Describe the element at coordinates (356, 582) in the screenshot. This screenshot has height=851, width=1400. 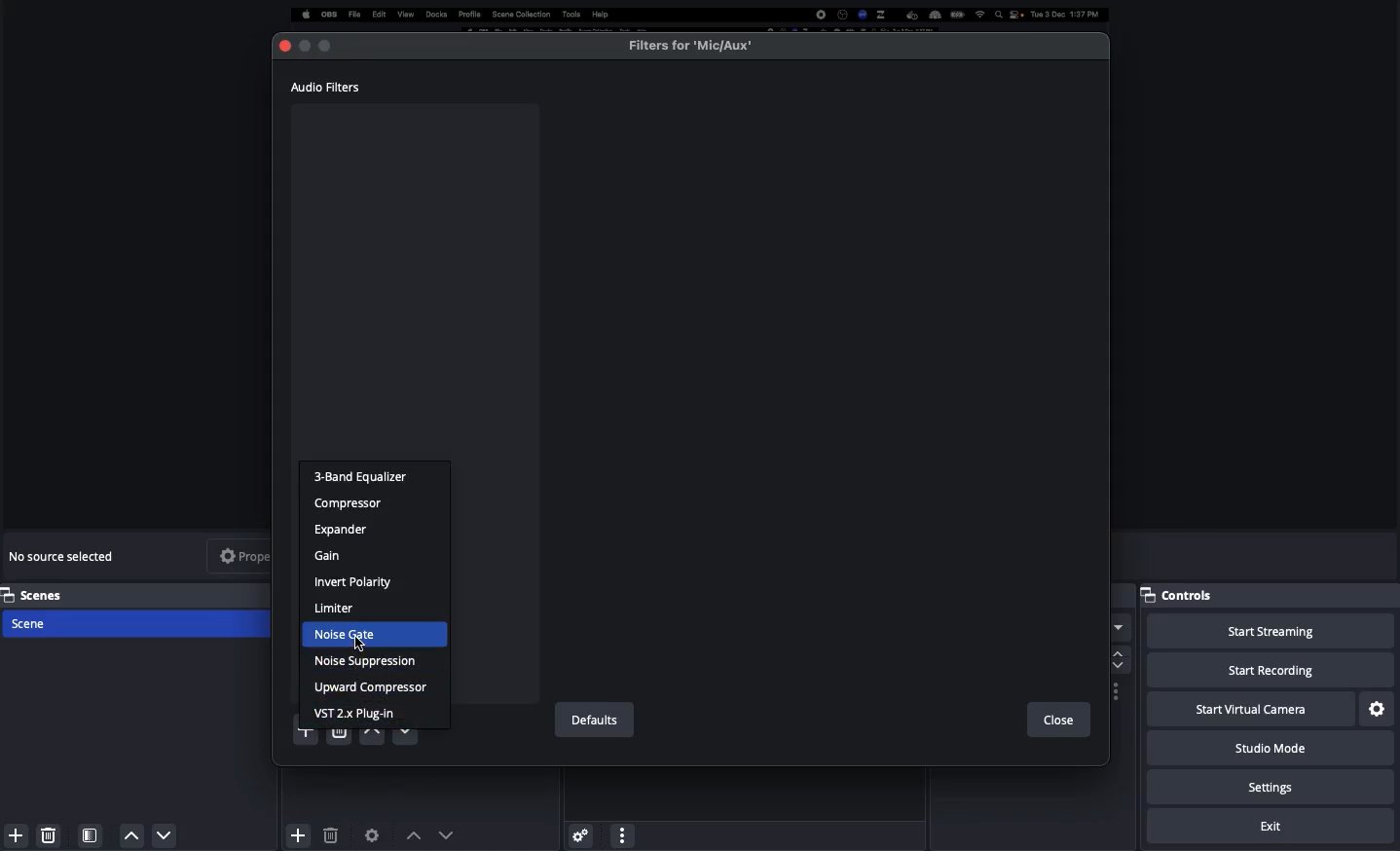
I see `Invert polarity ` at that location.